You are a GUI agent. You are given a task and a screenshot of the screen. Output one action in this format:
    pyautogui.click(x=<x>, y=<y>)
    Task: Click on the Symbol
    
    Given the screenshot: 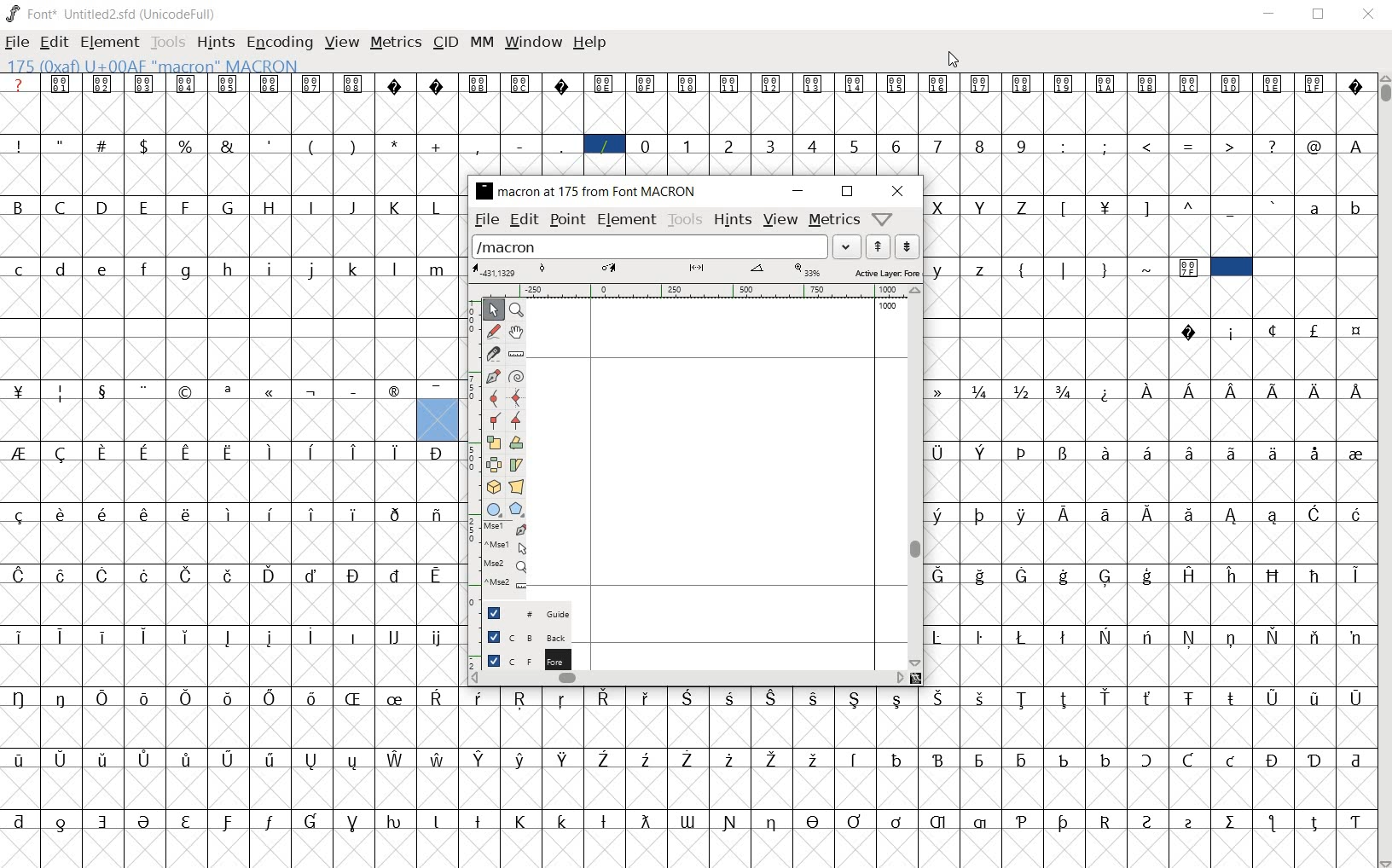 What is the action you would take?
    pyautogui.click(x=983, y=514)
    